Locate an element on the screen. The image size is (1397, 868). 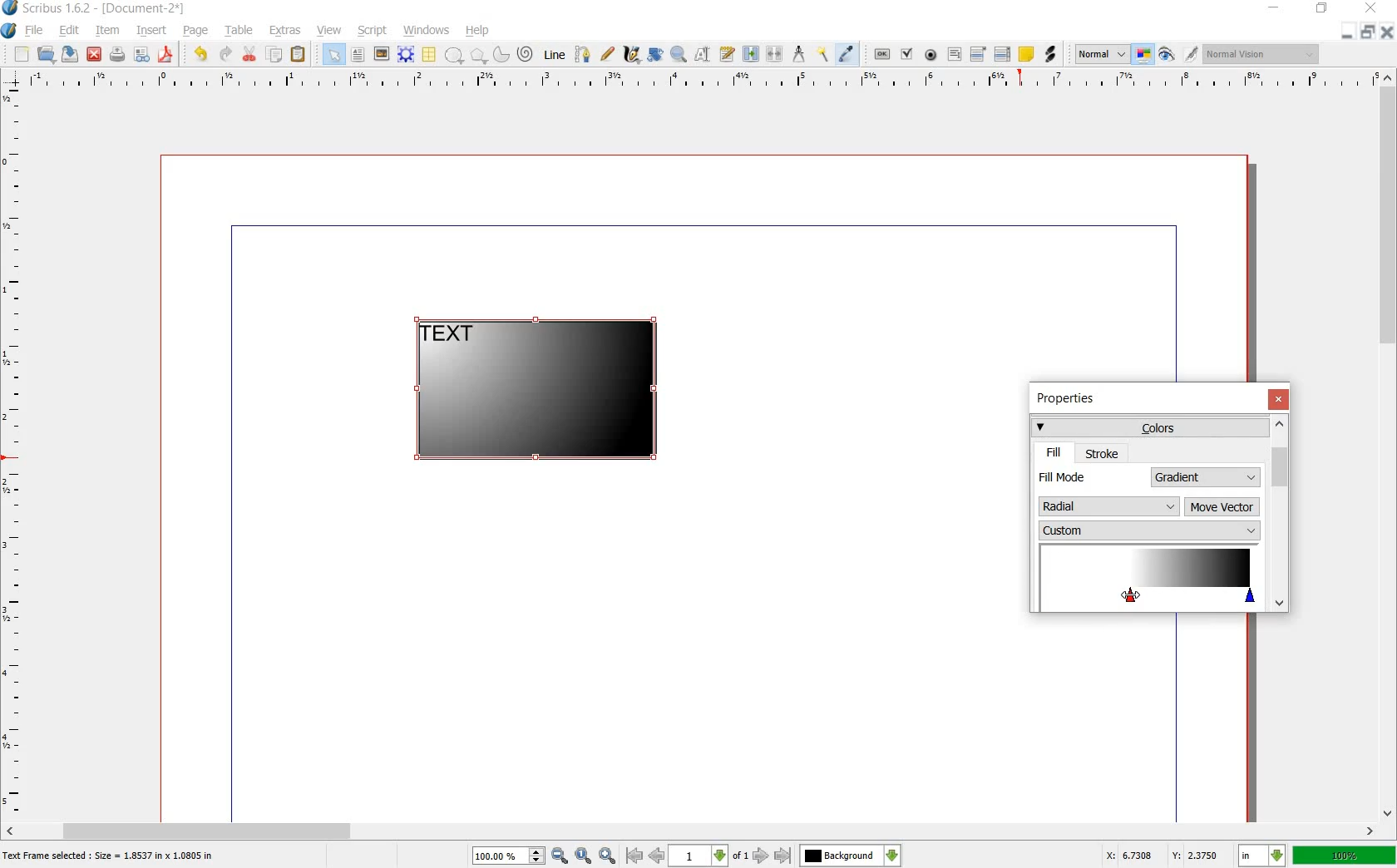
zoom out is located at coordinates (560, 856).